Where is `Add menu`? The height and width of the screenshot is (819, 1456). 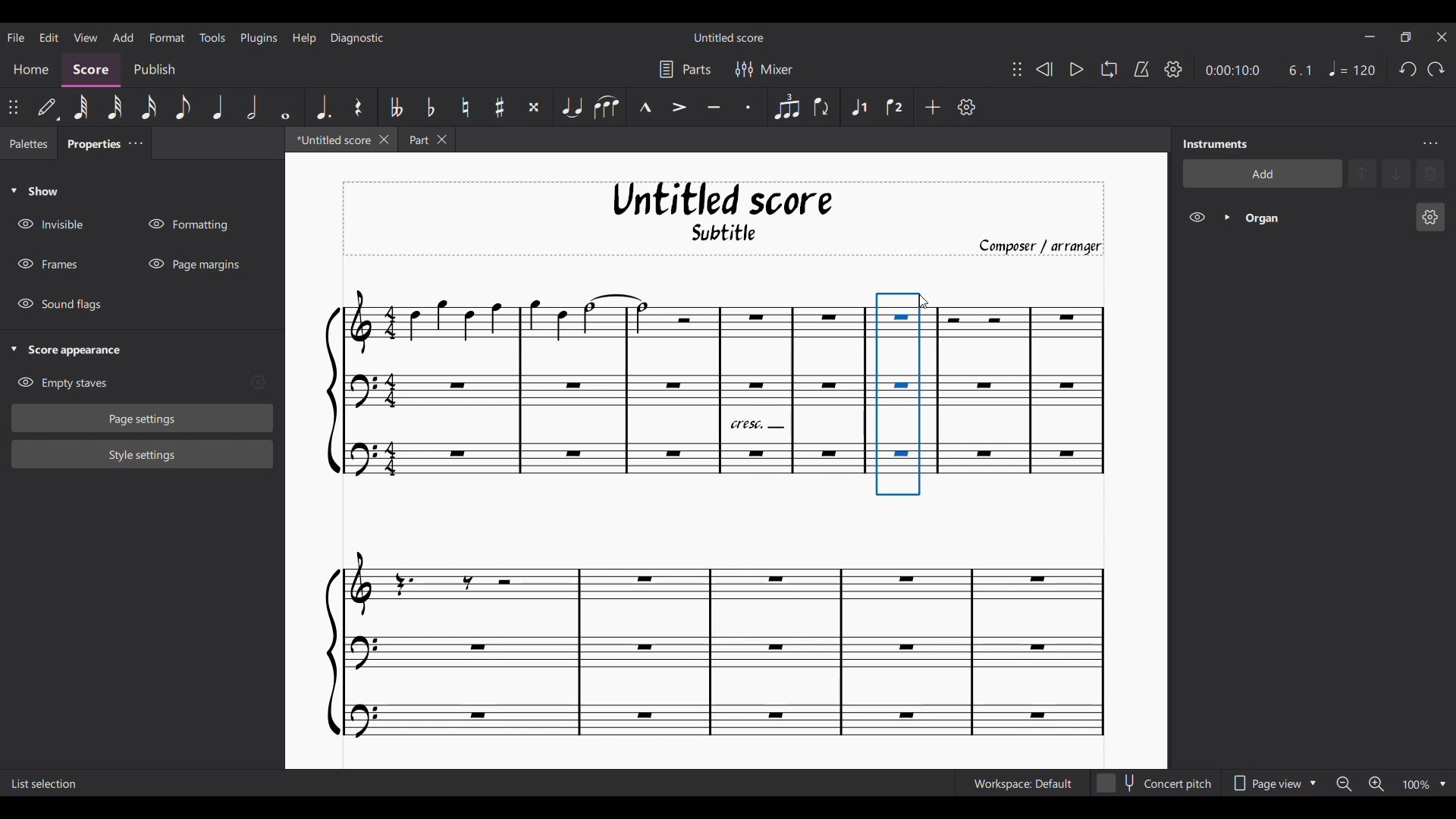 Add menu is located at coordinates (123, 36).